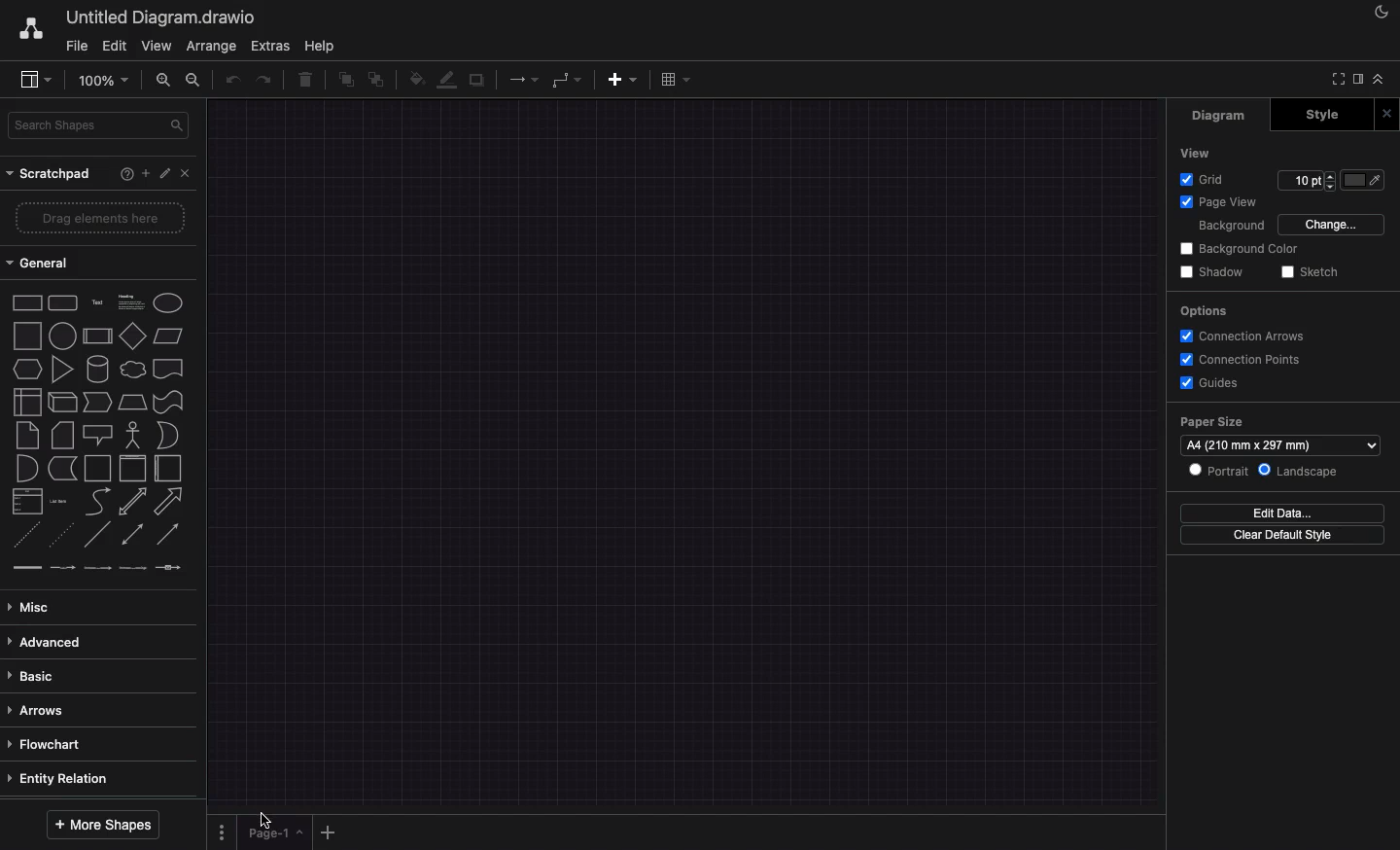 This screenshot has width=1400, height=850. What do you see at coordinates (27, 567) in the screenshot?
I see `link` at bounding box center [27, 567].